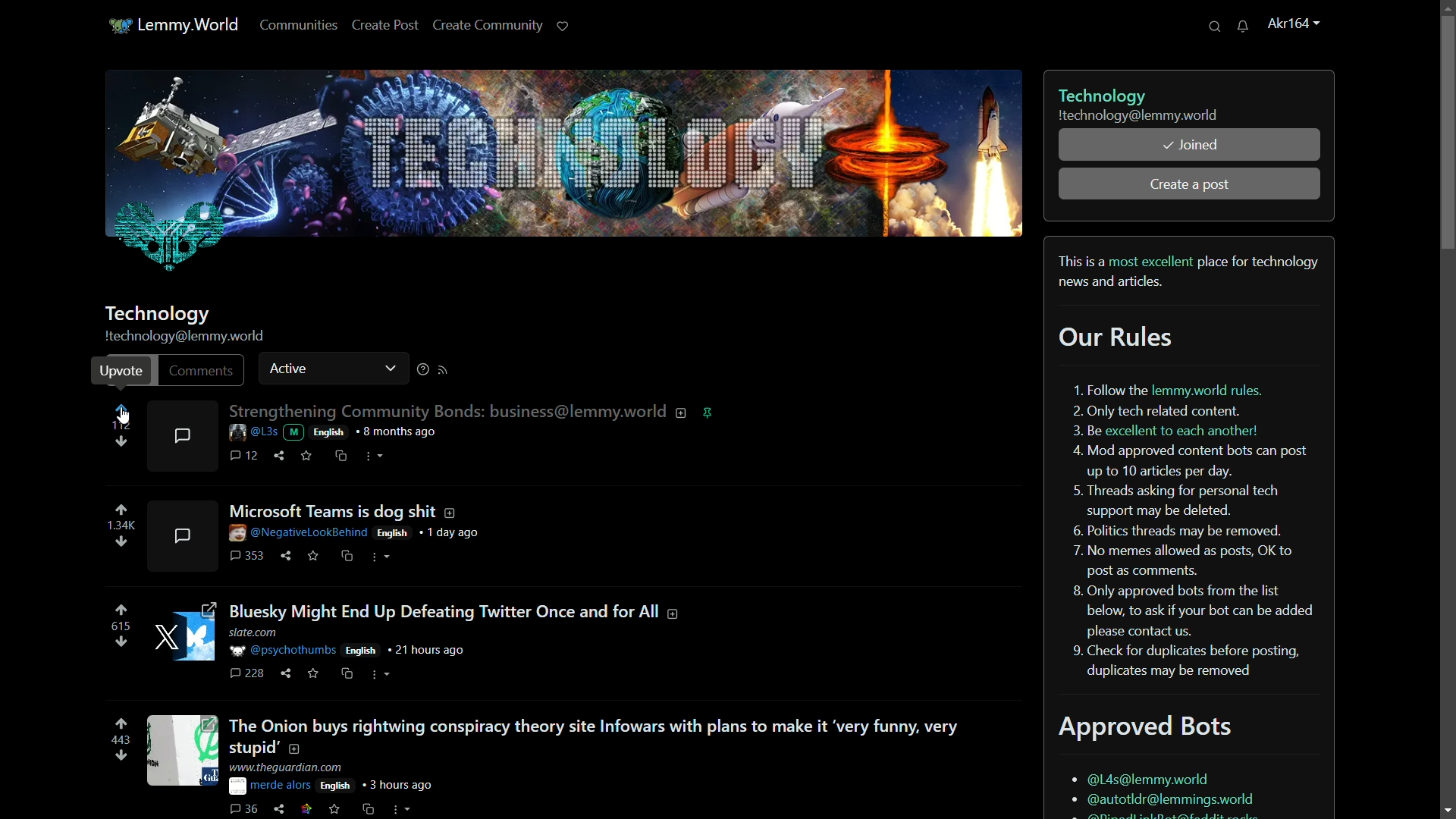  What do you see at coordinates (560, 172) in the screenshot?
I see `technology profile` at bounding box center [560, 172].